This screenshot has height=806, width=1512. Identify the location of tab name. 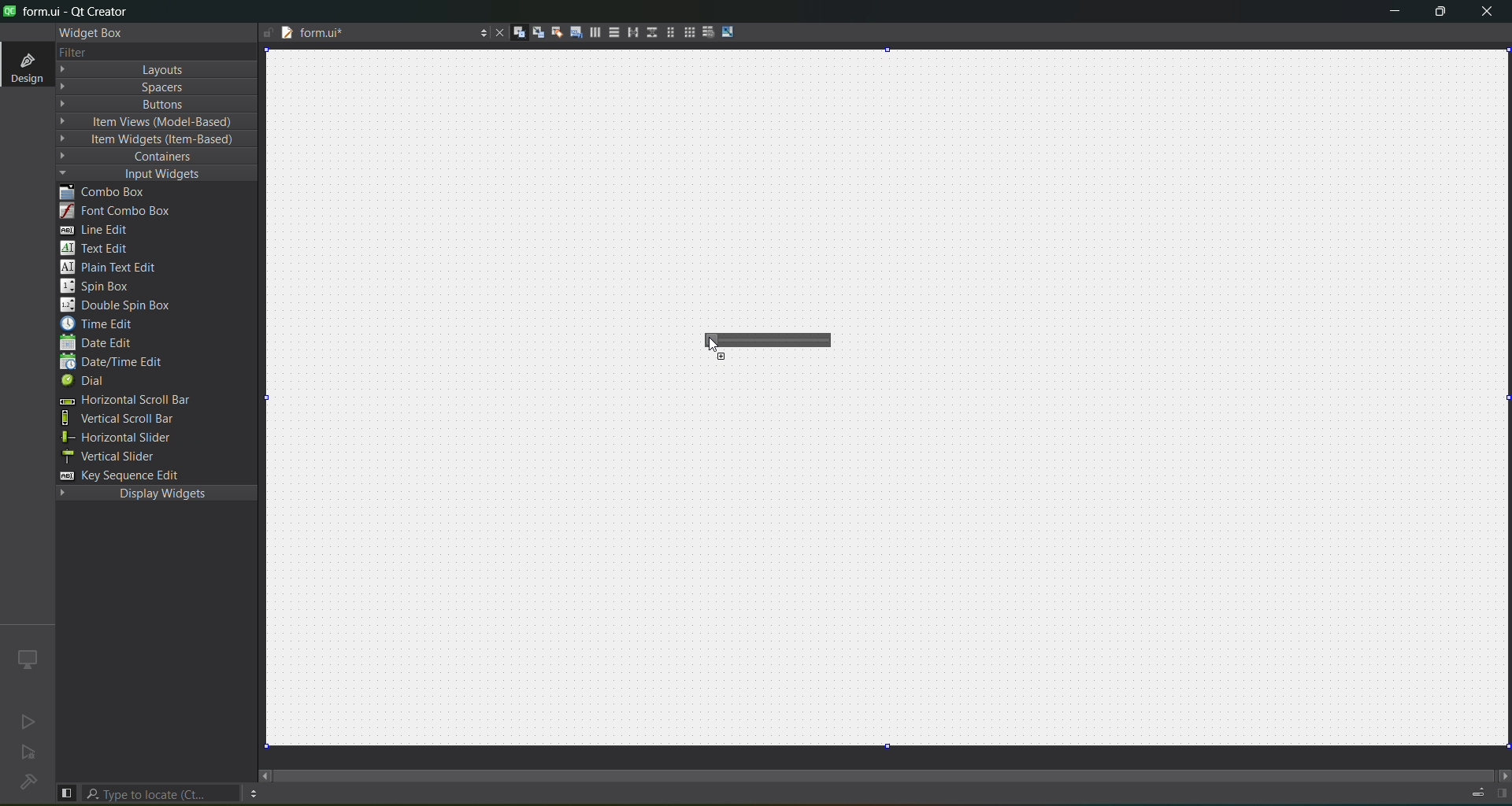
(339, 34).